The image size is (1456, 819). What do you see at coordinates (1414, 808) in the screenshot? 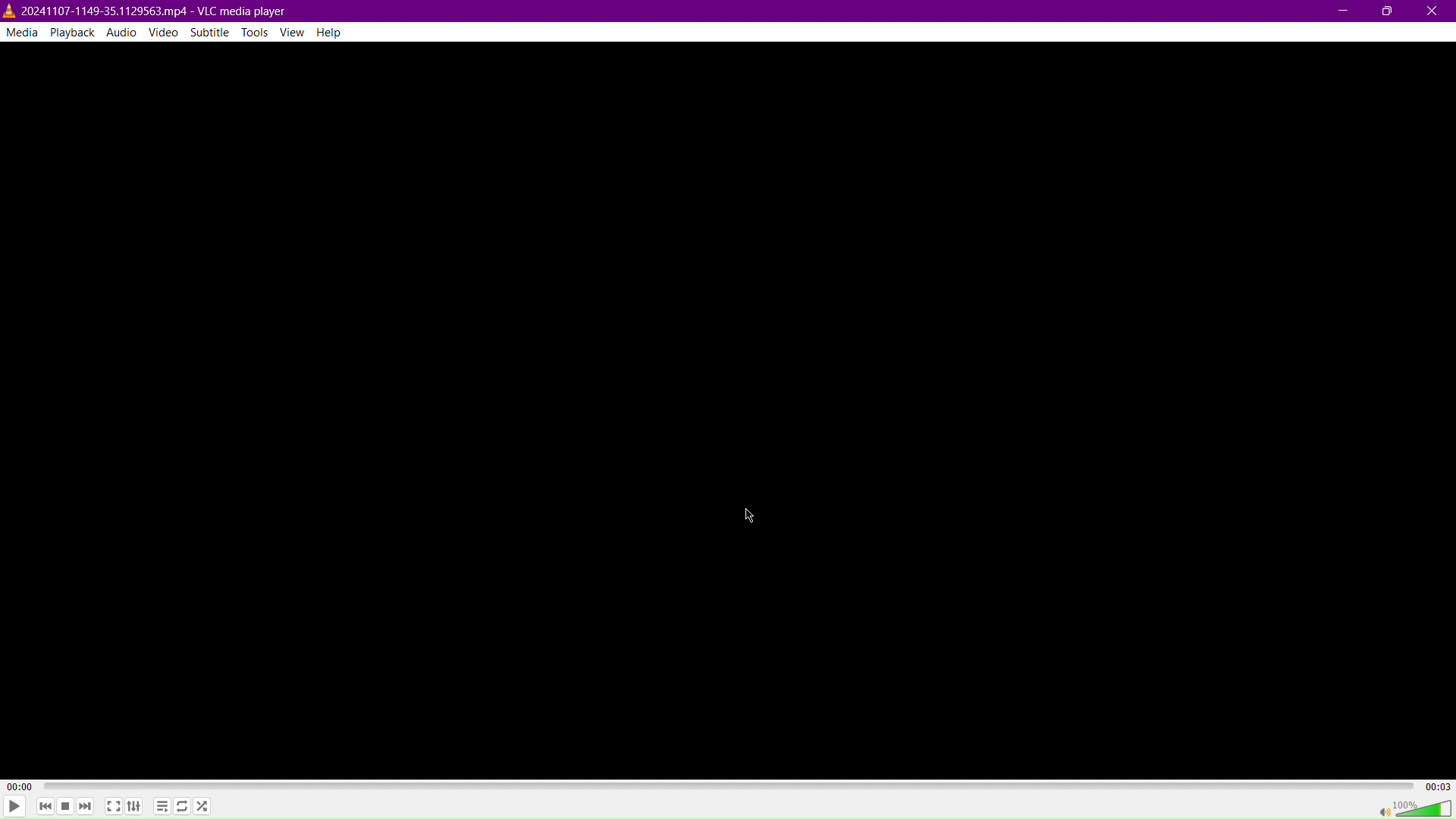
I see `Volume 100%` at bounding box center [1414, 808].